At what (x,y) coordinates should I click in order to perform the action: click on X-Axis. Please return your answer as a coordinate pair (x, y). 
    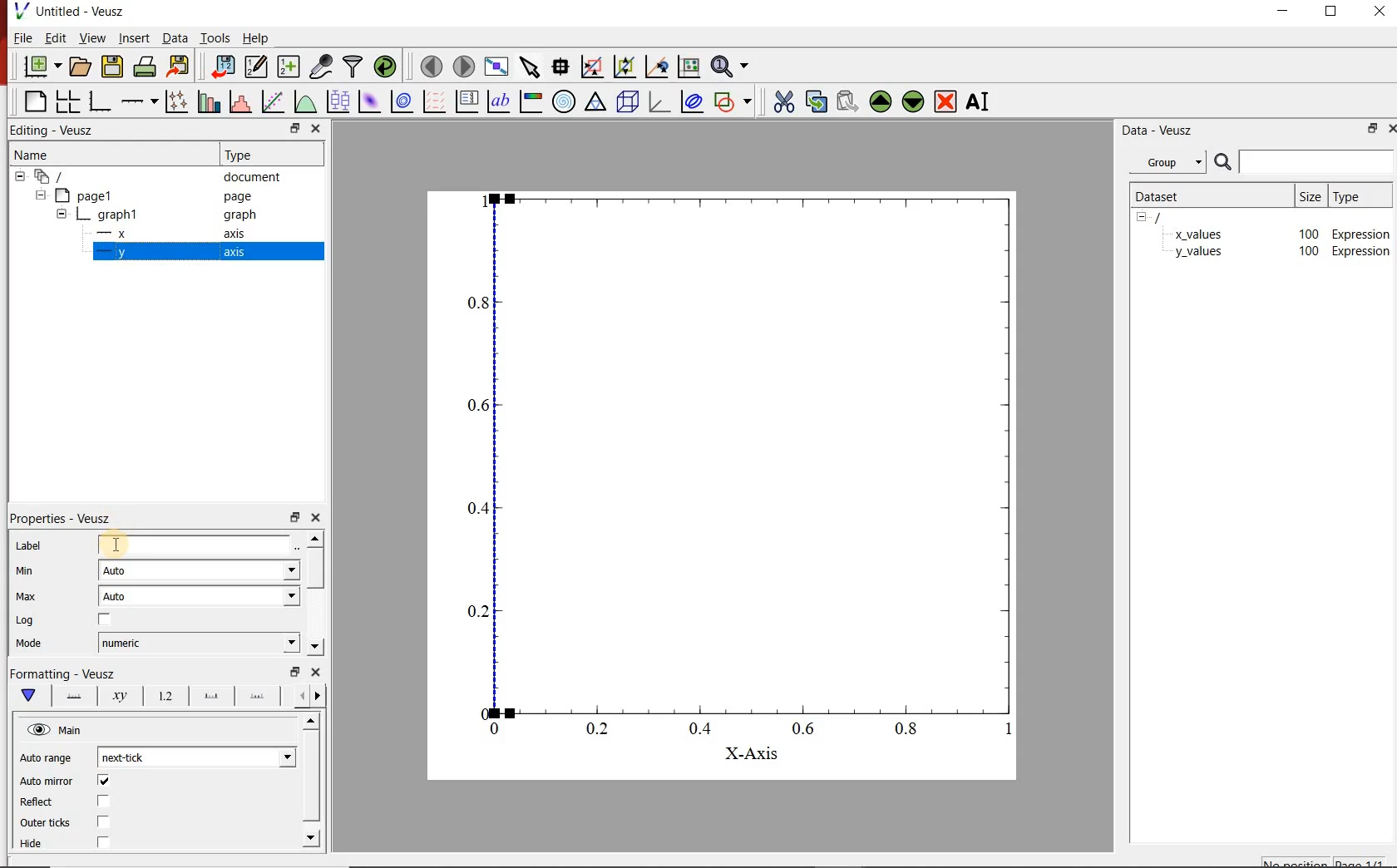
    Looking at the image, I should click on (747, 755).